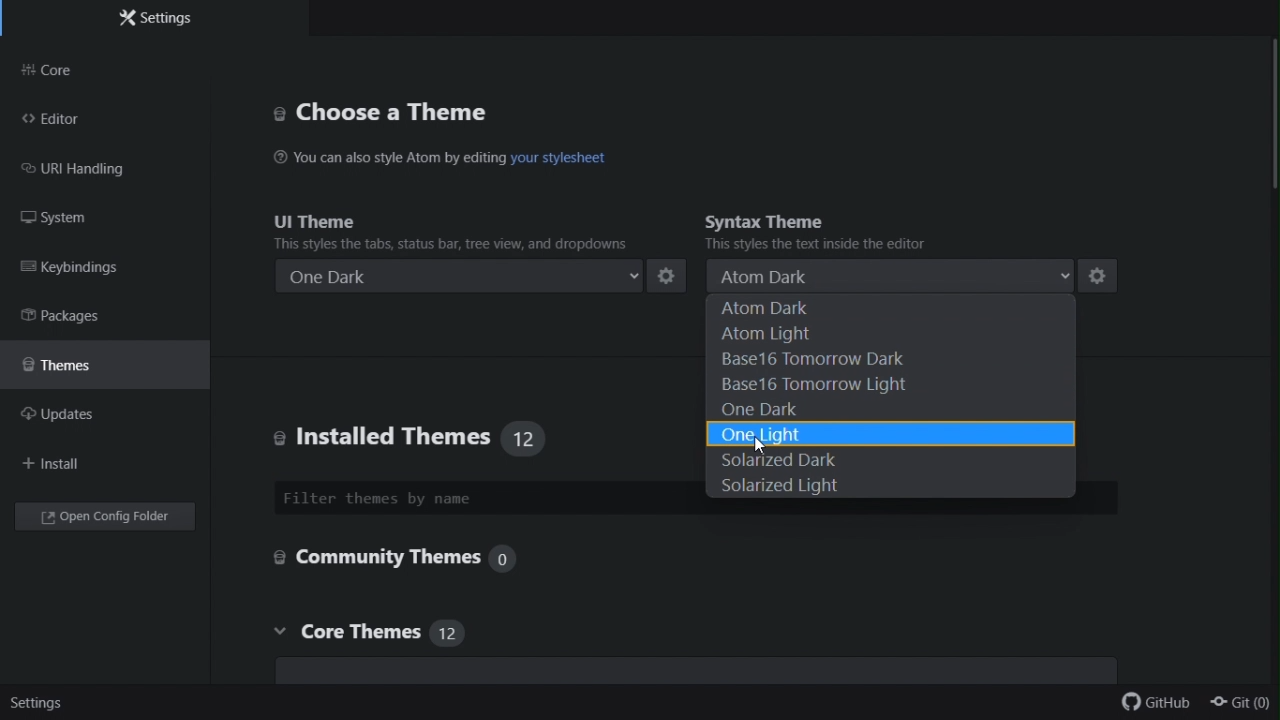 This screenshot has height=720, width=1280. I want to click on Core, so click(74, 71).